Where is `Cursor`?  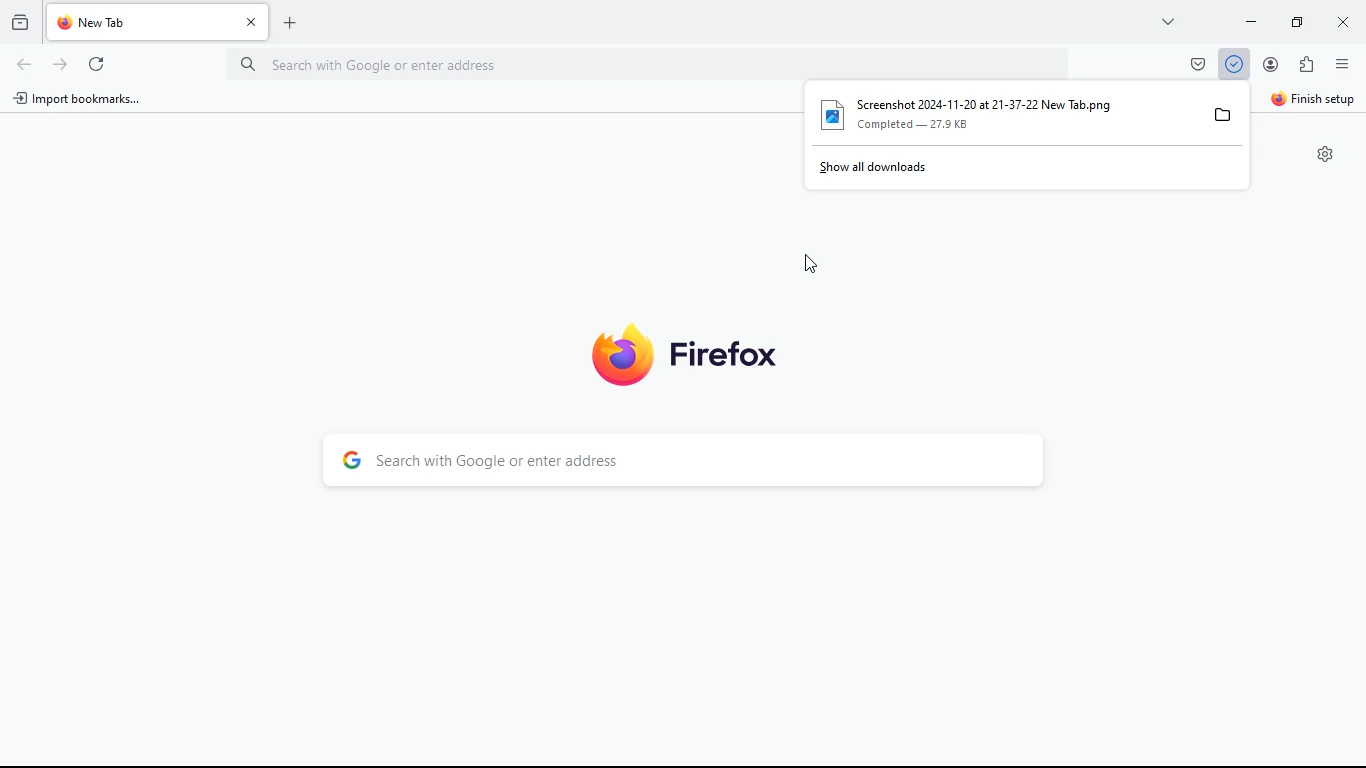
Cursor is located at coordinates (813, 263).